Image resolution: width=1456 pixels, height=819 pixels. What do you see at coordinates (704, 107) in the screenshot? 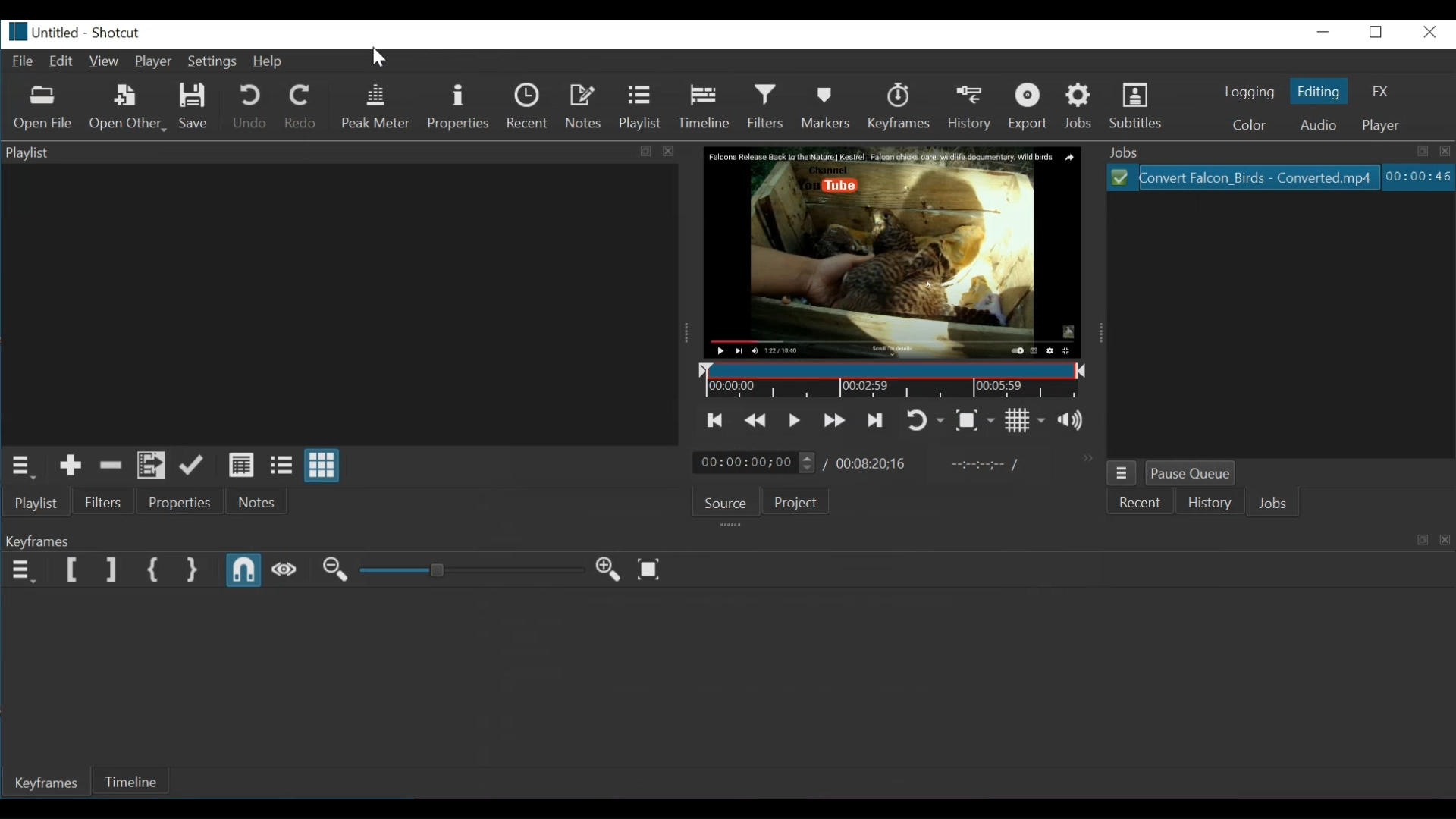
I see `Timeline` at bounding box center [704, 107].